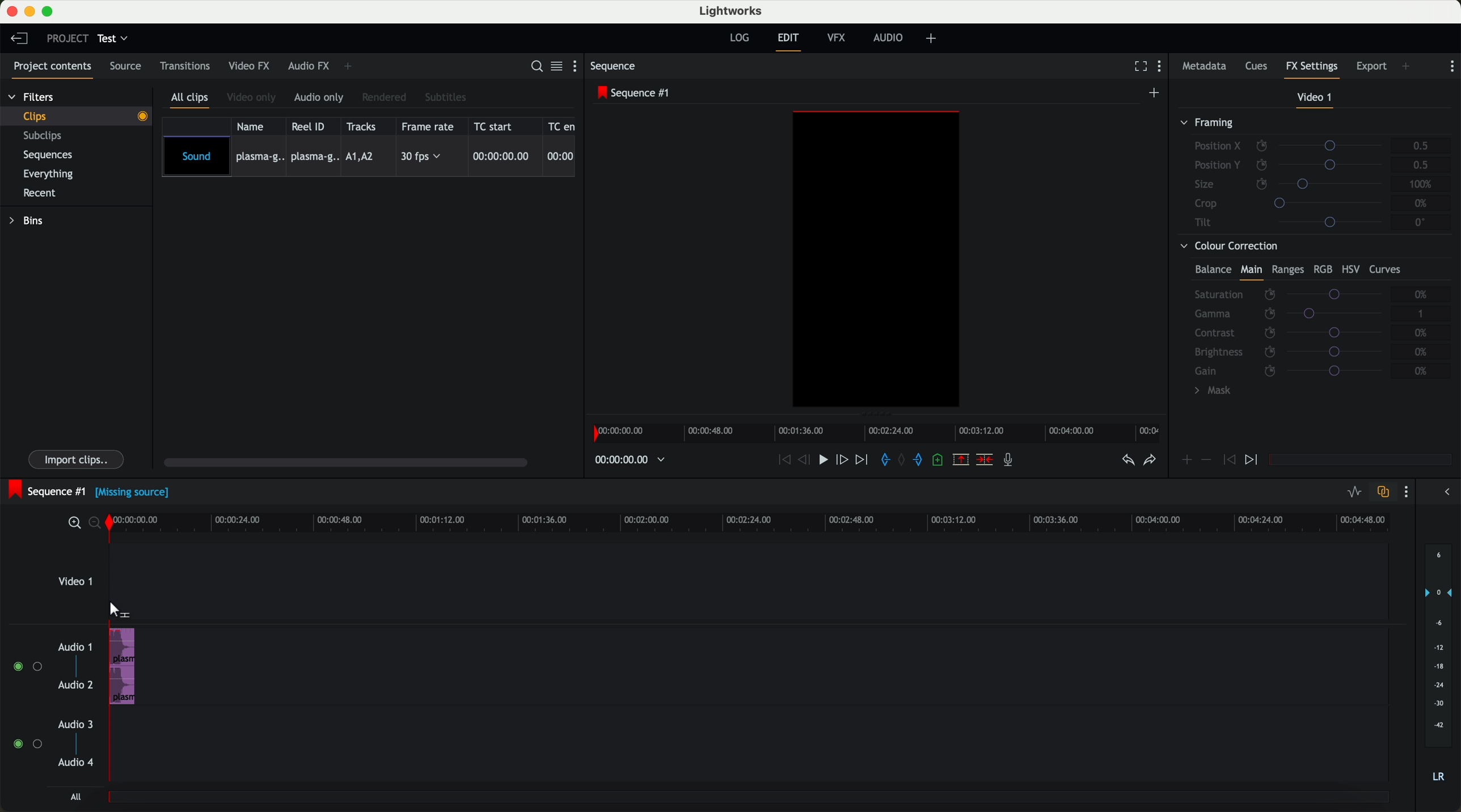 The width and height of the screenshot is (1461, 812). Describe the element at coordinates (922, 461) in the screenshot. I see `add out mark` at that location.